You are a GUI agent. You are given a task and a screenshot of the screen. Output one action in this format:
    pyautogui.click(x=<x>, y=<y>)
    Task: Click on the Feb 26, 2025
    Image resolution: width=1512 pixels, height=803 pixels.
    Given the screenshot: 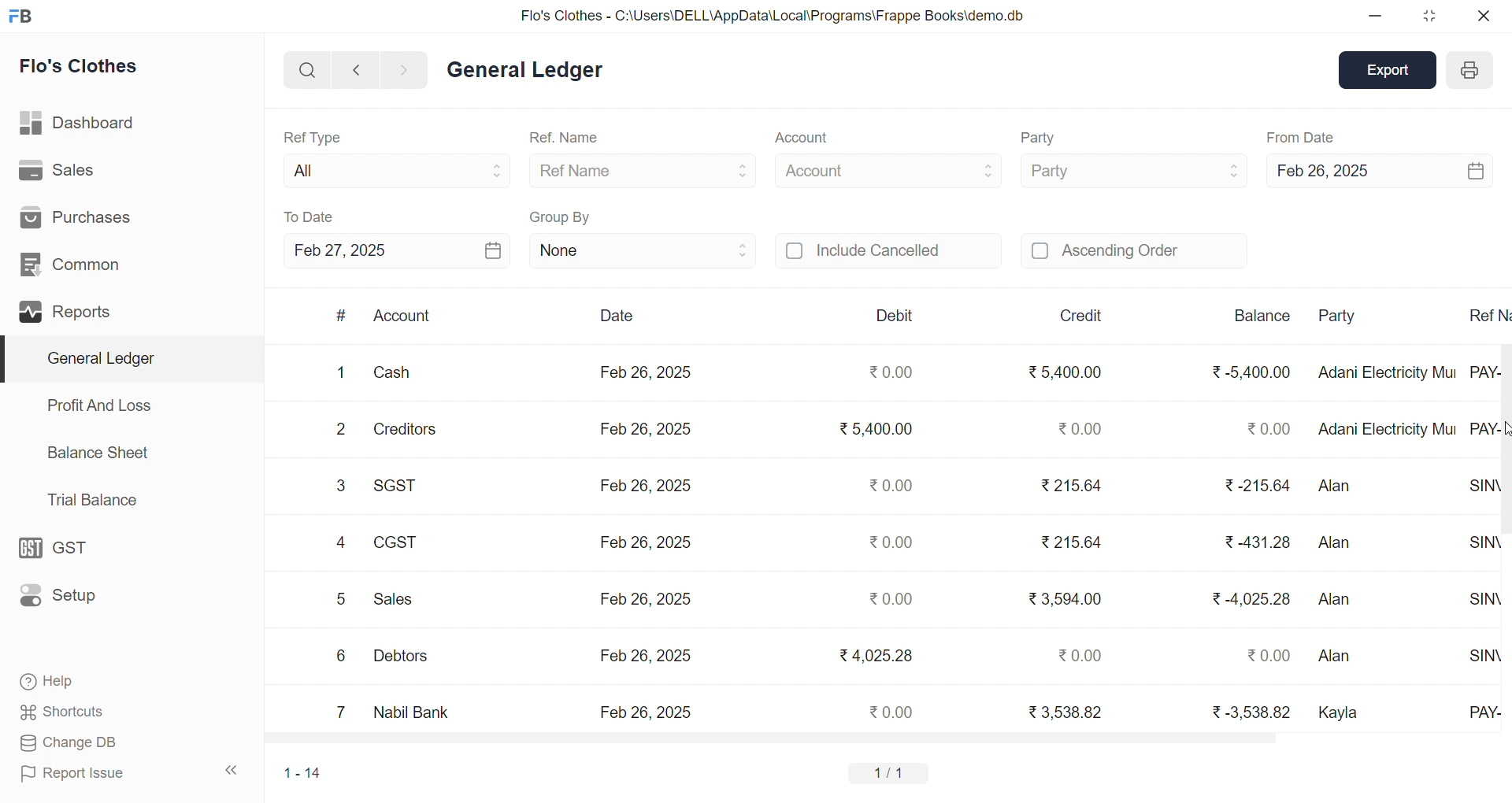 What is the action you would take?
    pyautogui.click(x=646, y=712)
    